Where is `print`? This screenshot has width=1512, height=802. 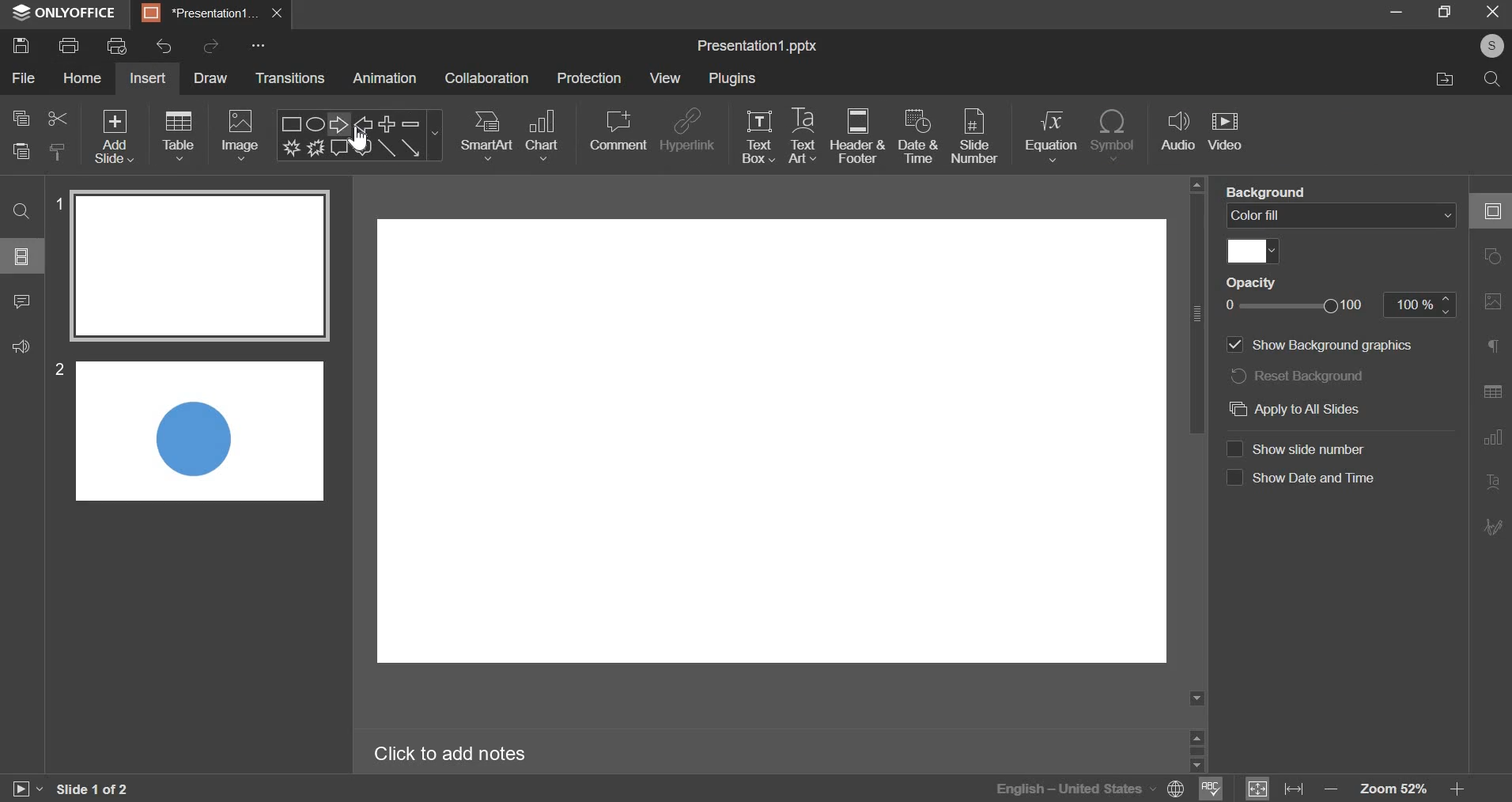
print is located at coordinates (70, 45).